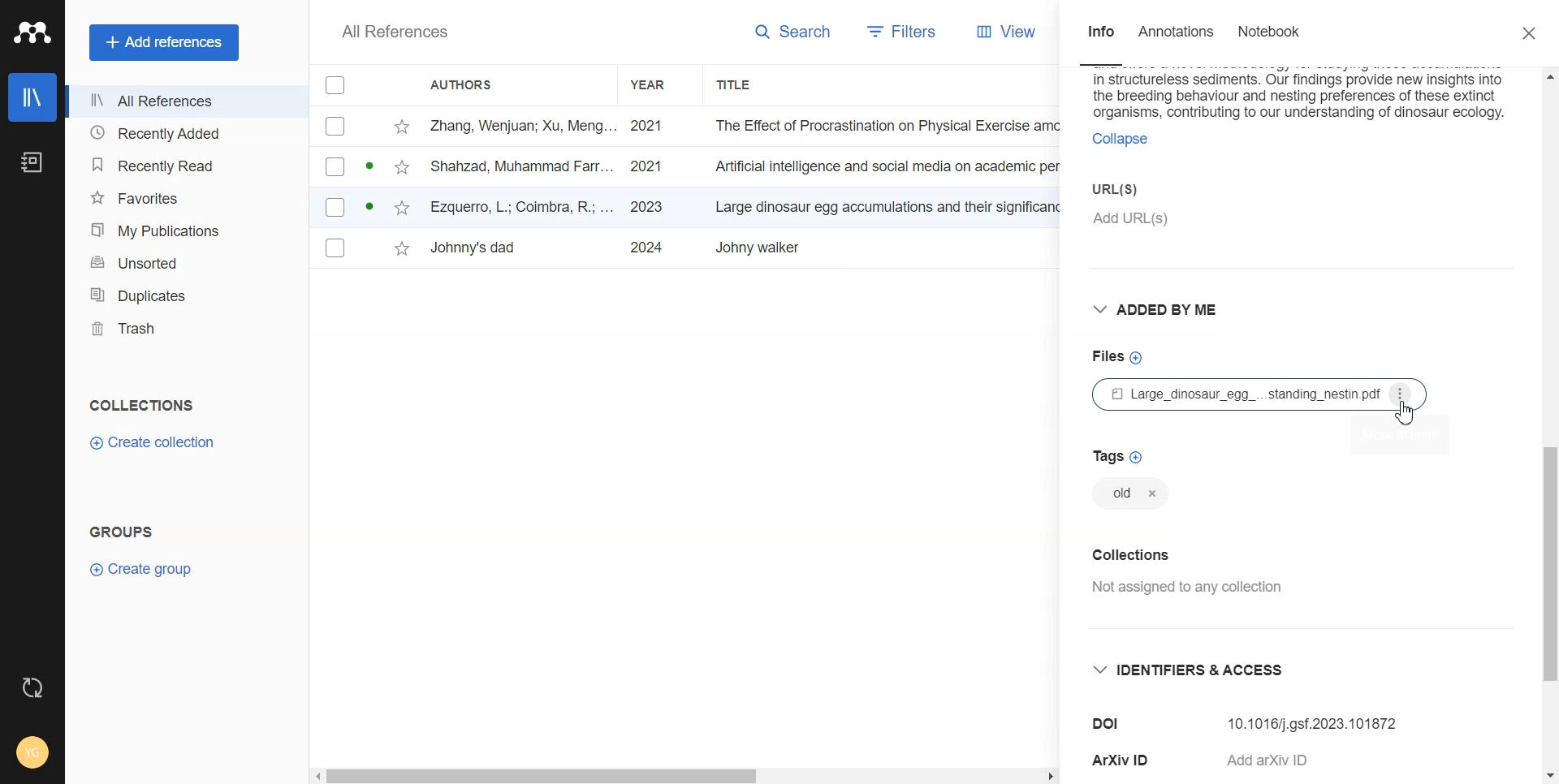  I want to click on Collections, so click(141, 406).